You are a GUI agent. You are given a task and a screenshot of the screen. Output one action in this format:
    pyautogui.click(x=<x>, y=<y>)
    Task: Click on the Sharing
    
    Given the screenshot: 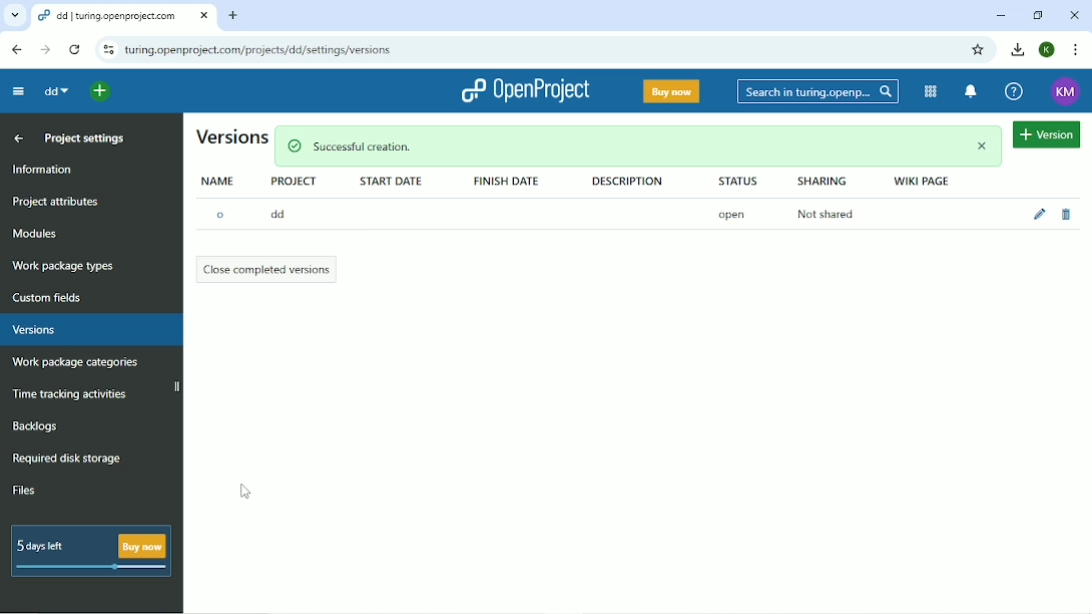 What is the action you would take?
    pyautogui.click(x=821, y=182)
    